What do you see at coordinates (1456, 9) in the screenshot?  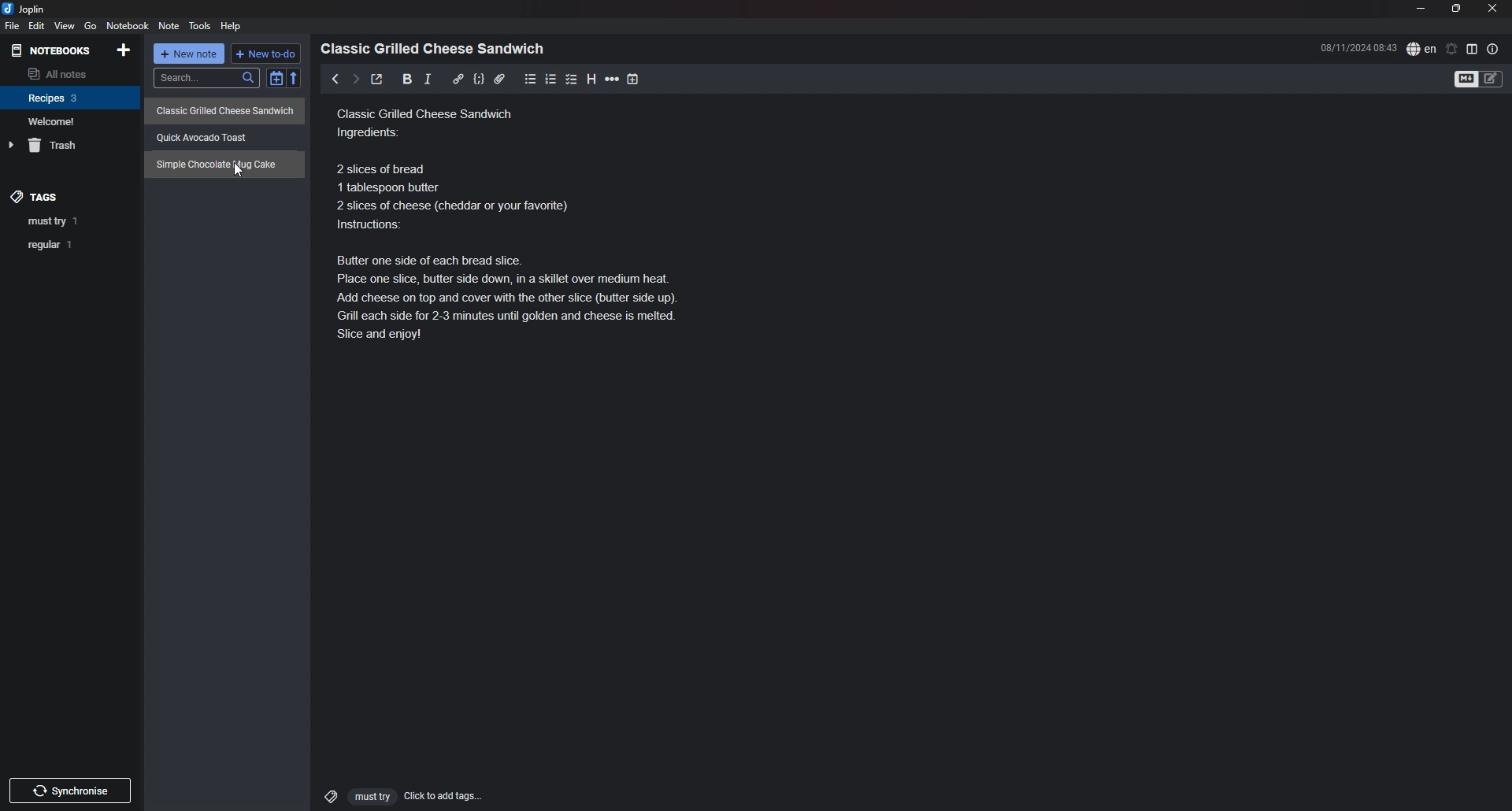 I see `resize` at bounding box center [1456, 9].